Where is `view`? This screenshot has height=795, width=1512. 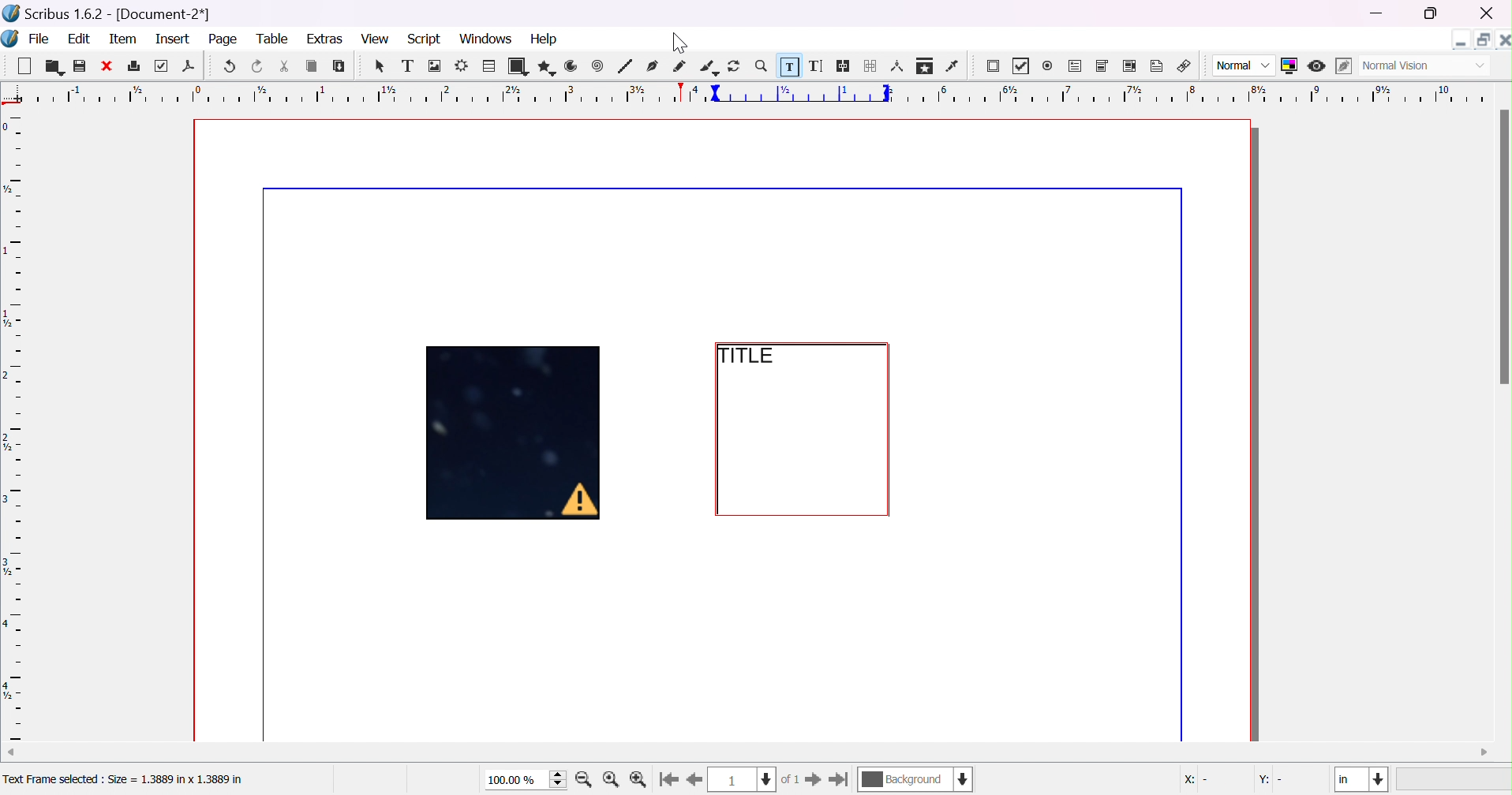
view is located at coordinates (372, 38).